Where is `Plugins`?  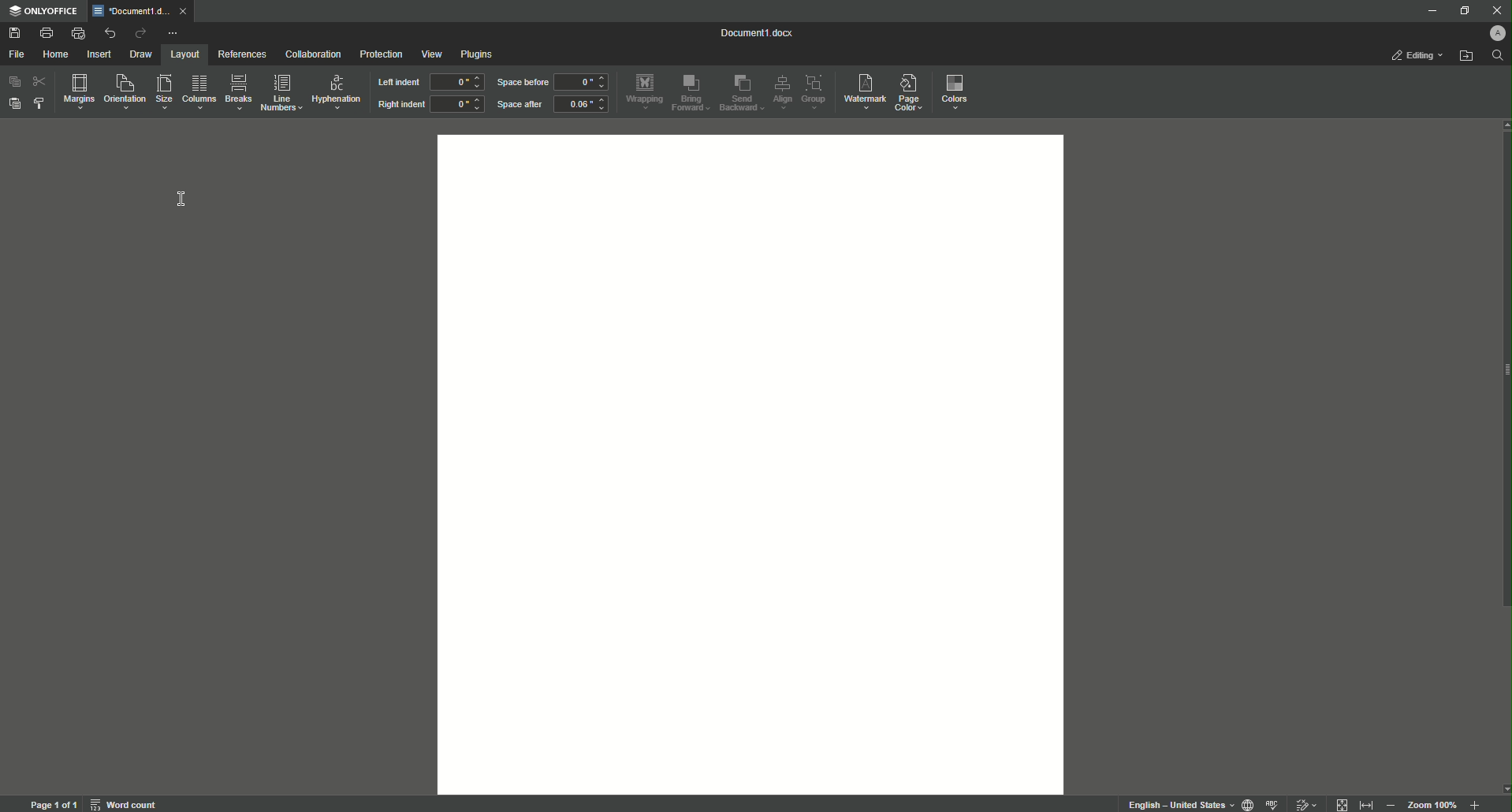
Plugins is located at coordinates (480, 54).